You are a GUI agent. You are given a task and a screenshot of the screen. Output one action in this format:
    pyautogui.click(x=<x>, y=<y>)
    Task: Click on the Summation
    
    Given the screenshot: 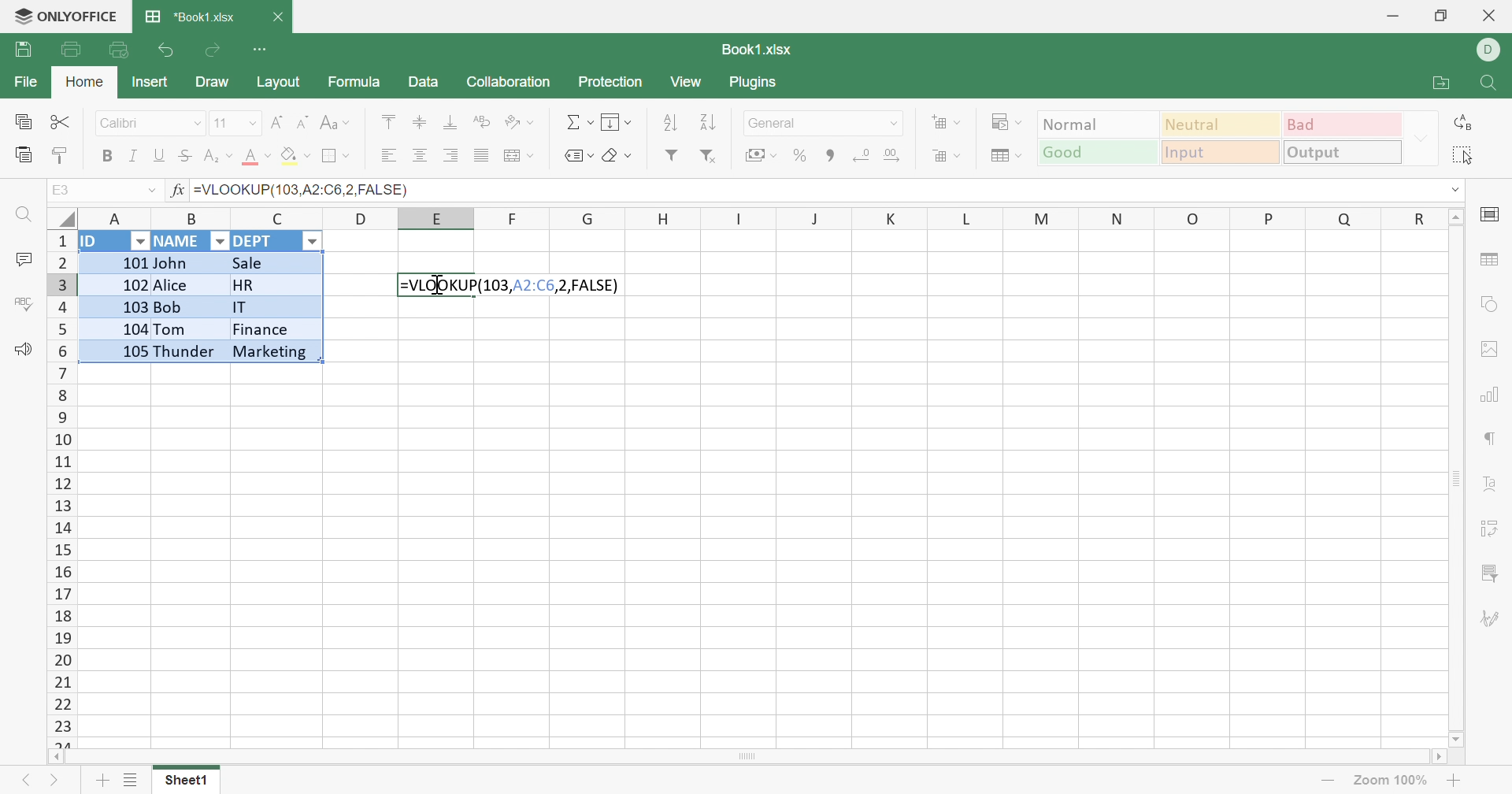 What is the action you would take?
    pyautogui.click(x=573, y=121)
    